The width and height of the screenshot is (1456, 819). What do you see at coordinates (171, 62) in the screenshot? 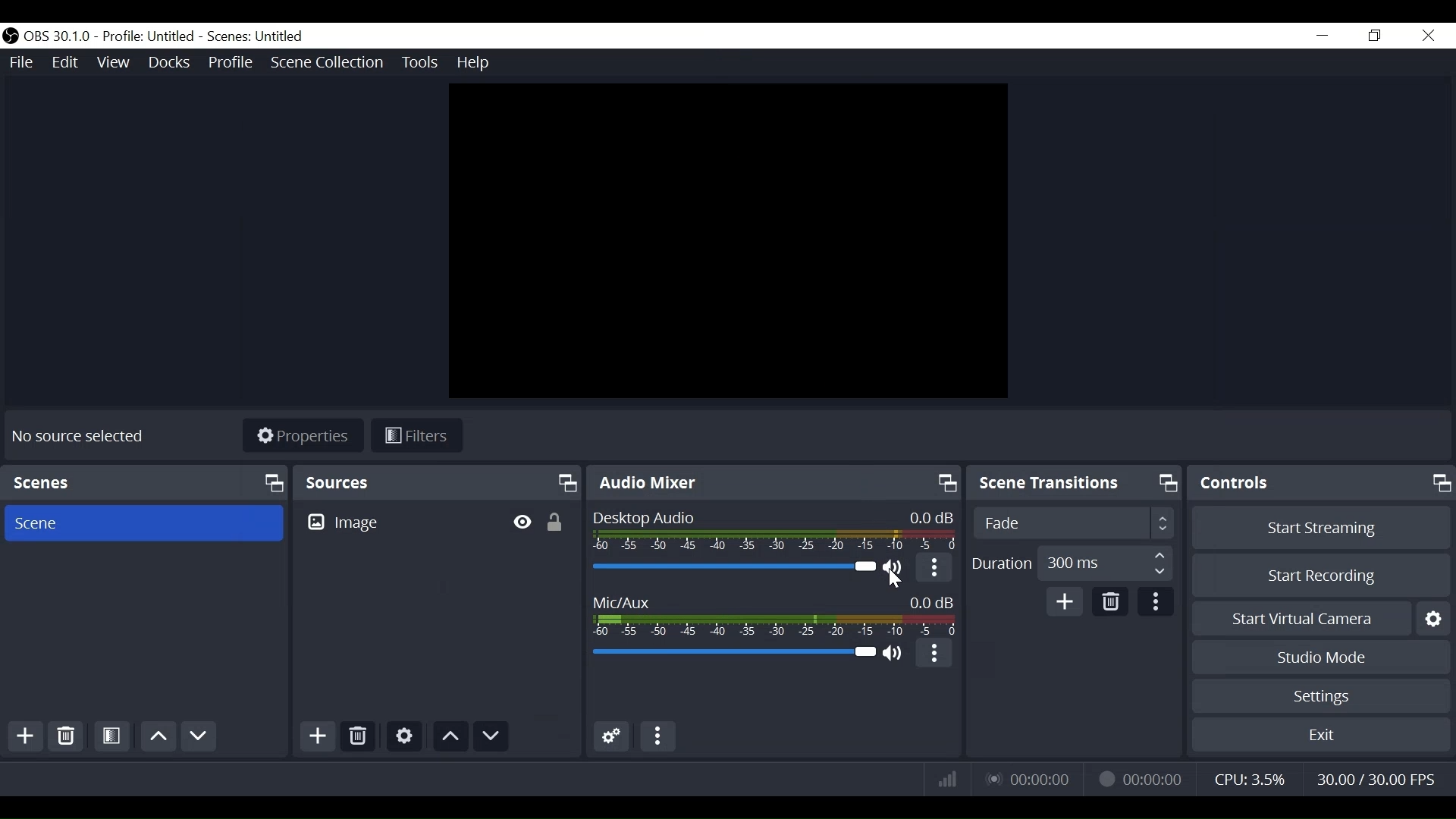
I see `Docks` at bounding box center [171, 62].